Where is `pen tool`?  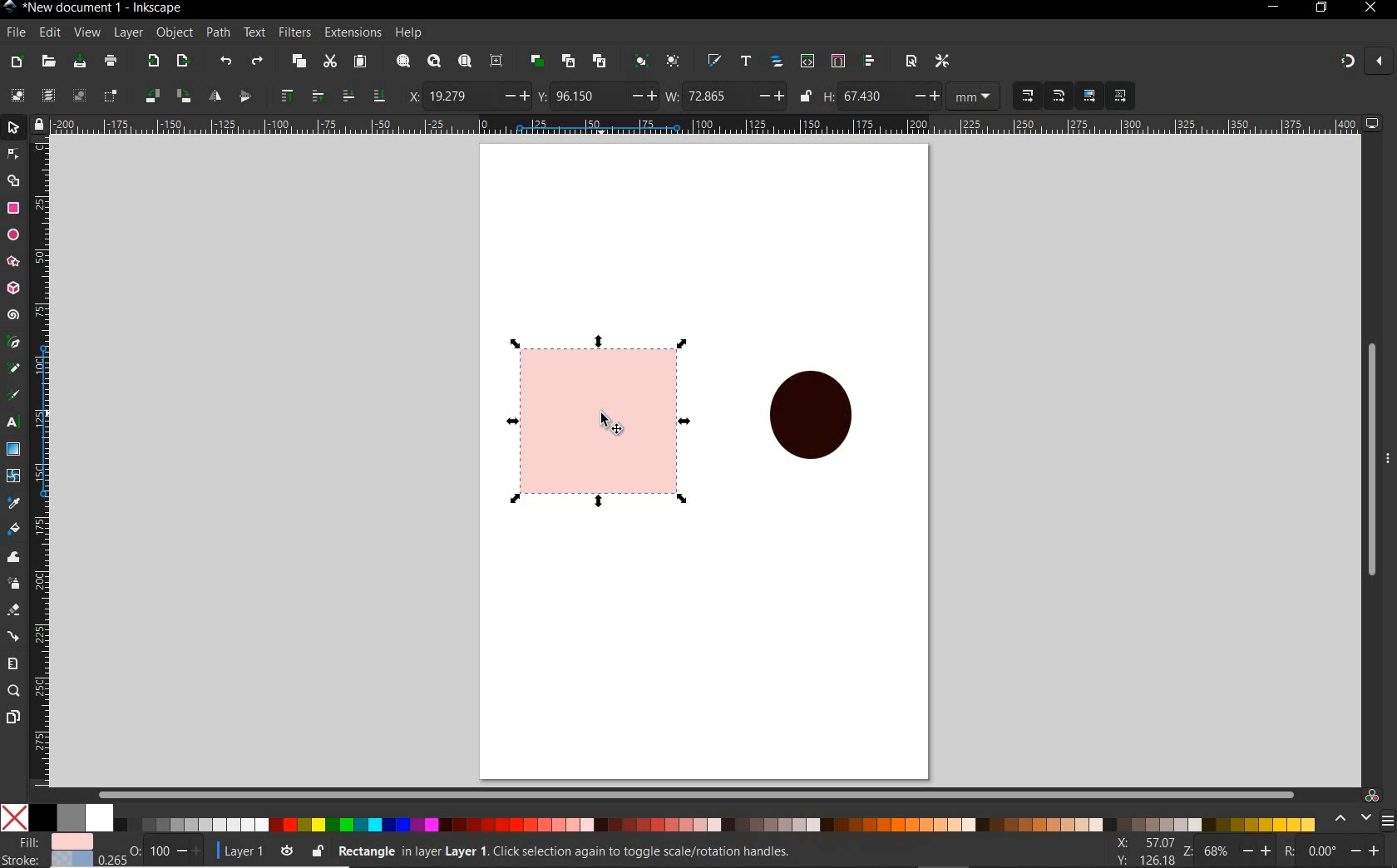 pen tool is located at coordinates (12, 341).